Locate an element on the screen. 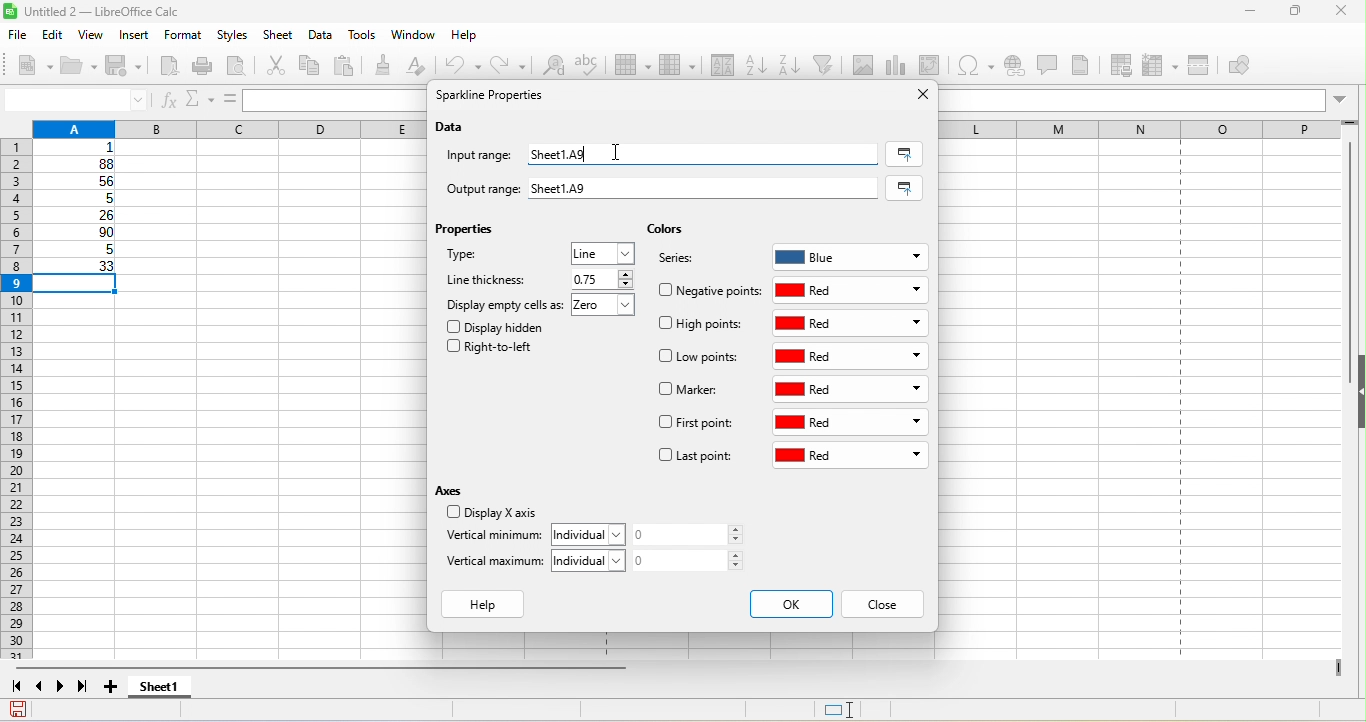  column headingas is located at coordinates (1151, 129).